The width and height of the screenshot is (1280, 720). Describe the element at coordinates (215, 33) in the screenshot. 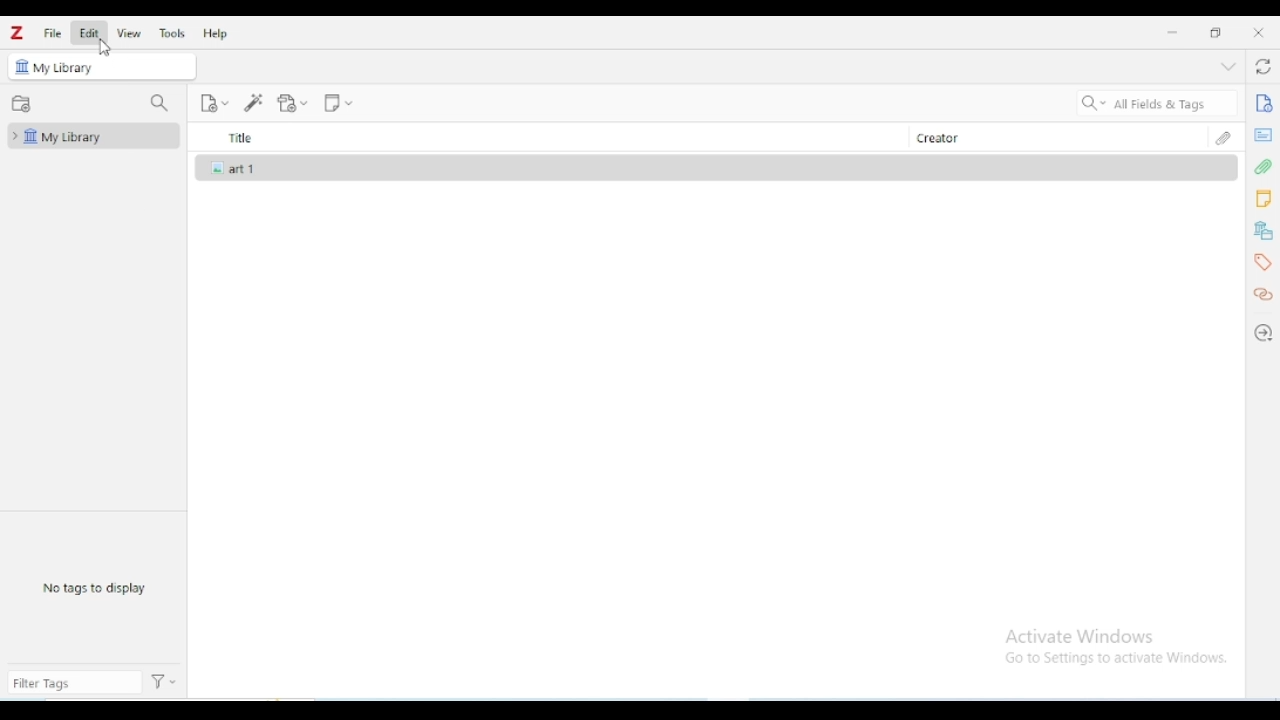

I see `help` at that location.